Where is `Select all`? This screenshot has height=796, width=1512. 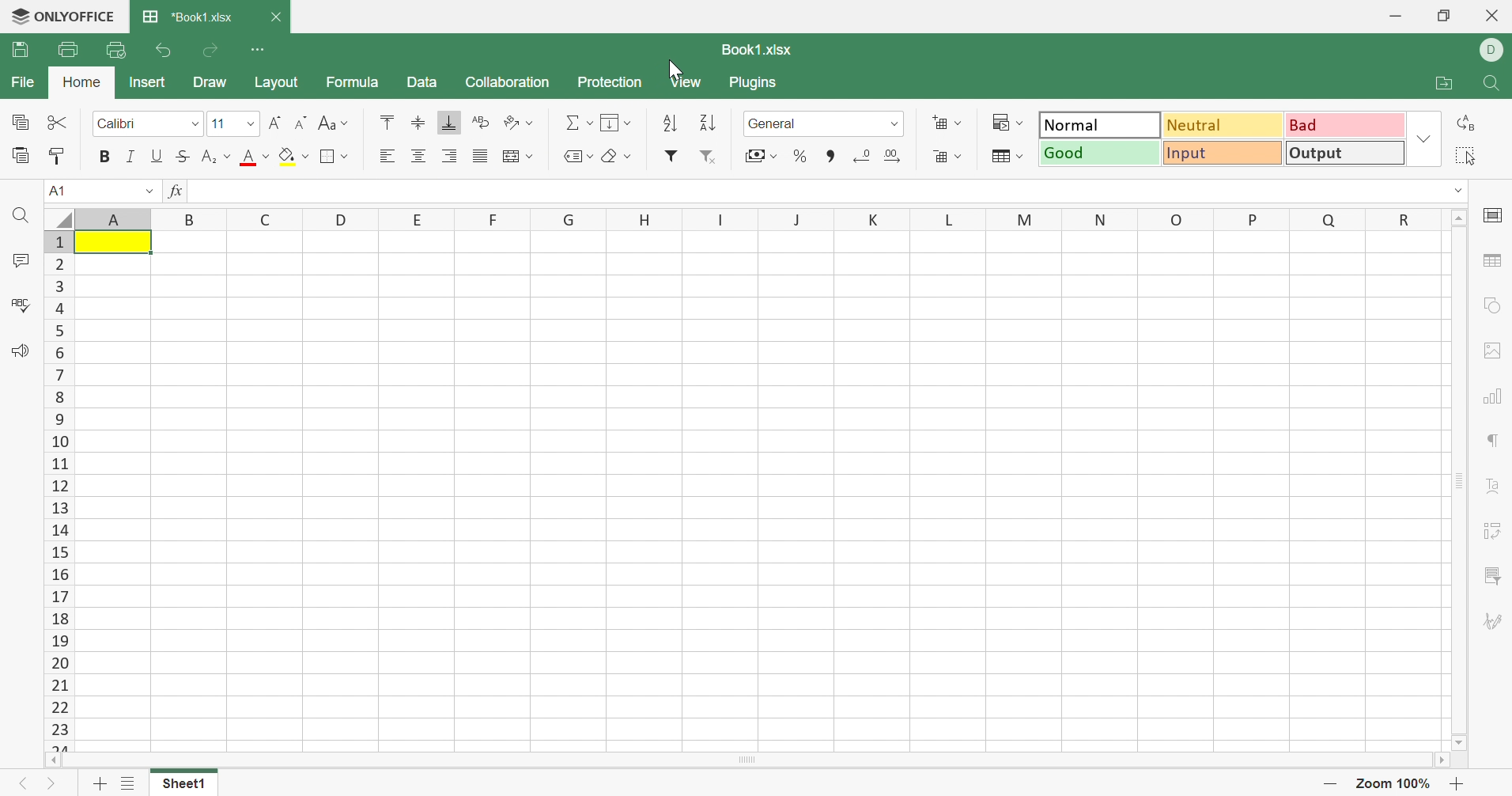
Select all is located at coordinates (1465, 156).